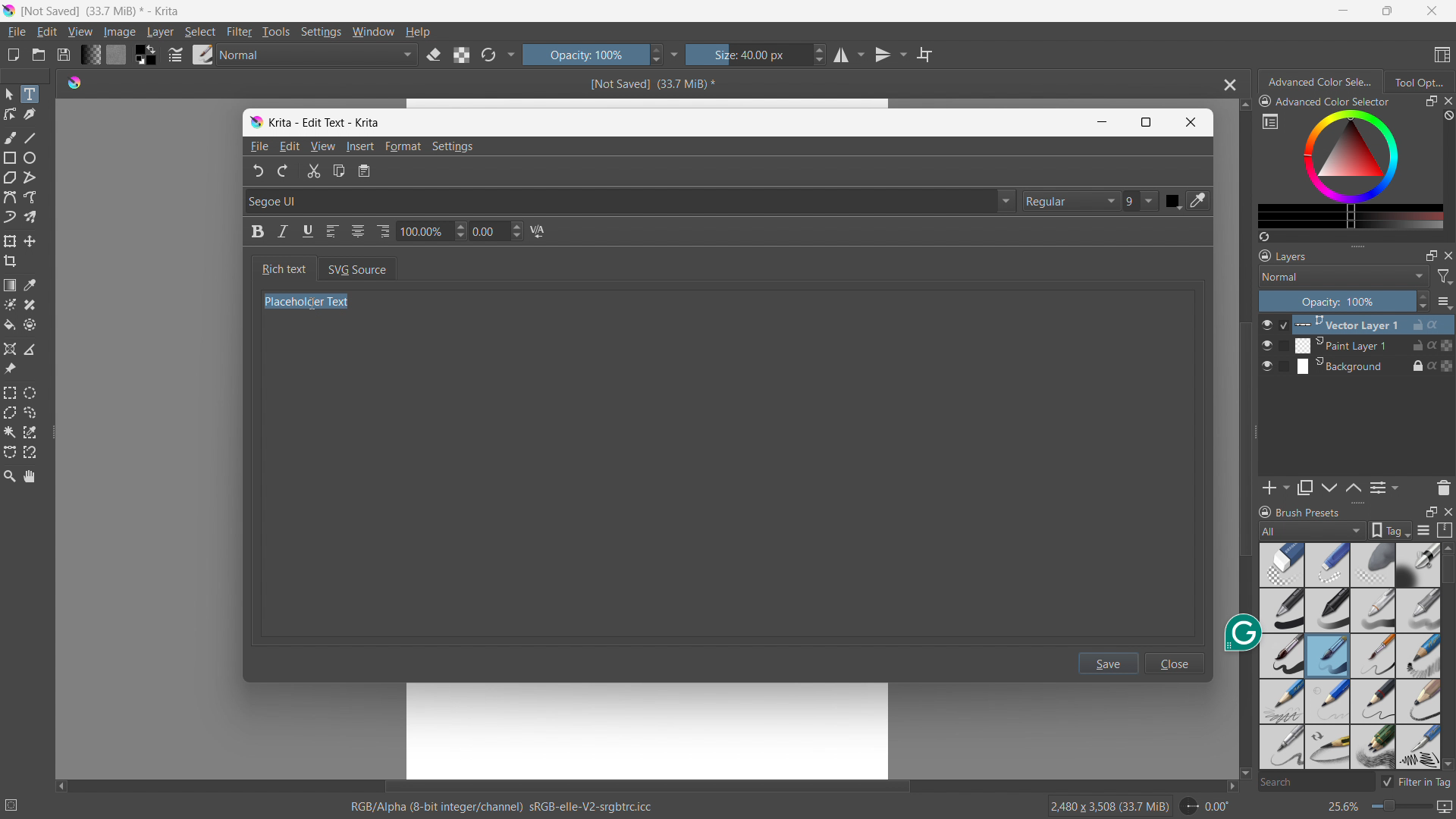  Describe the element at coordinates (1279, 747) in the screenshot. I see `pencil` at that location.